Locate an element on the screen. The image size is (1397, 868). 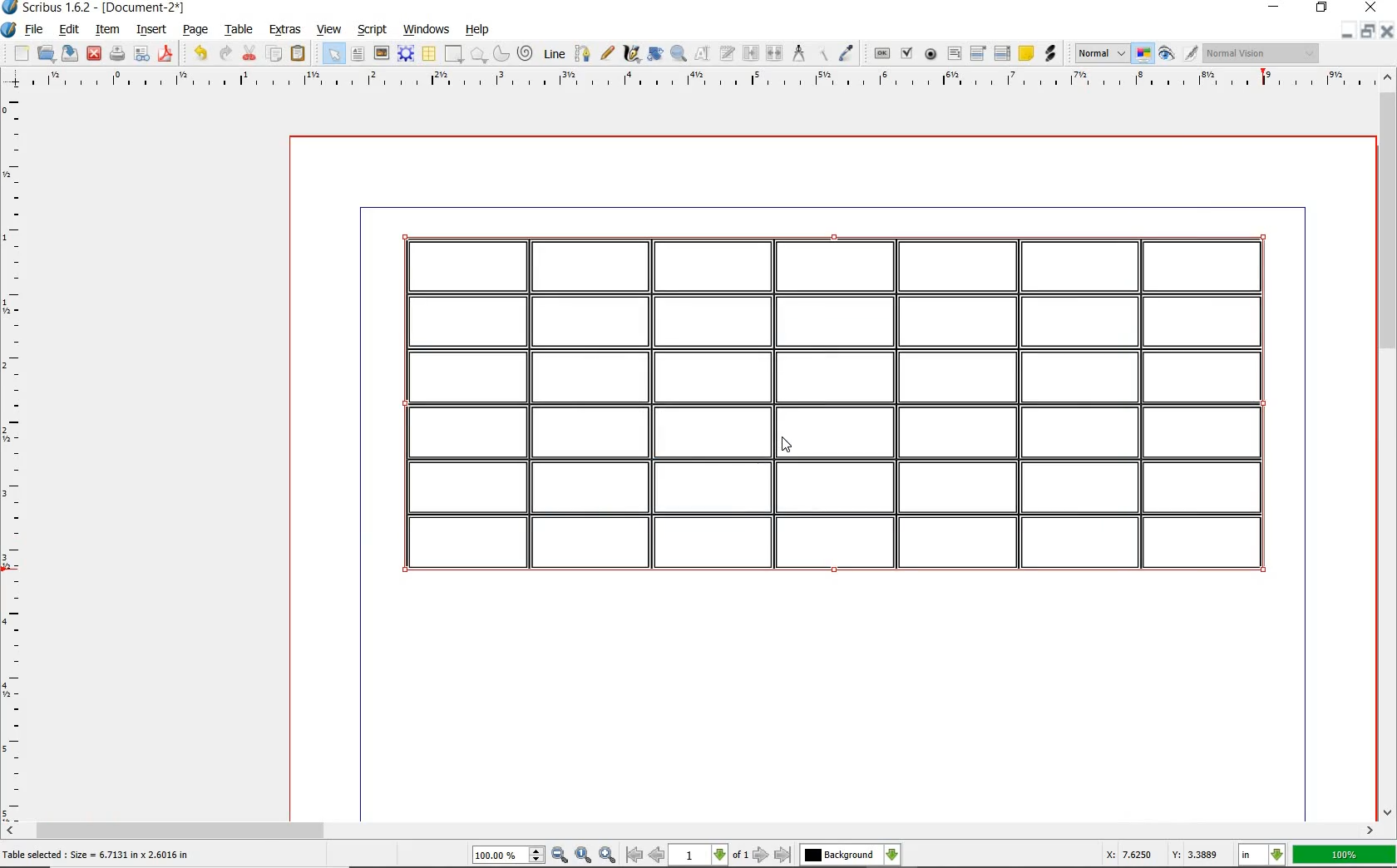
X: 7.6250 Y: 3.3889 is located at coordinates (1163, 855).